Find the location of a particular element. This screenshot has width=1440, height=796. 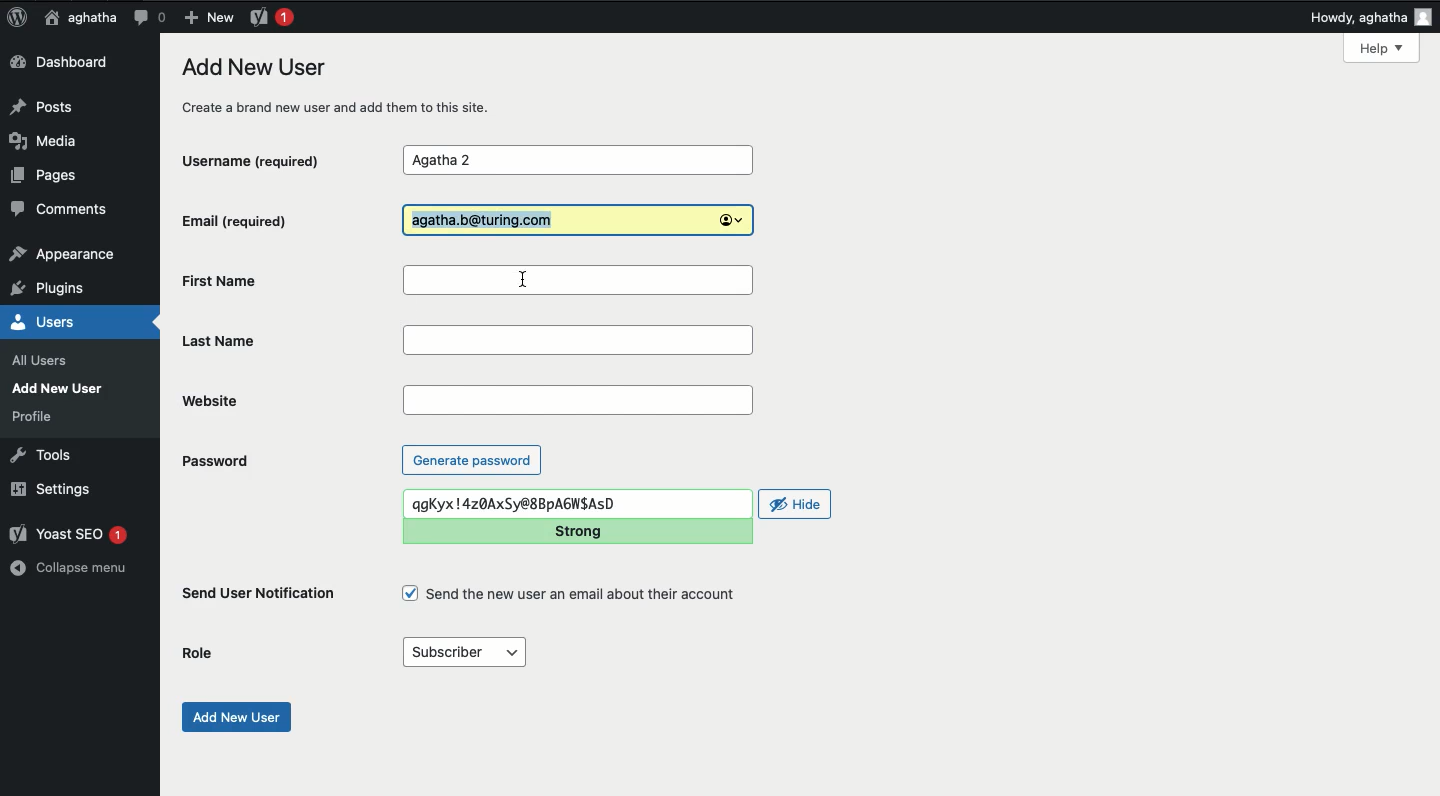

Agatha 2 is located at coordinates (577, 161).